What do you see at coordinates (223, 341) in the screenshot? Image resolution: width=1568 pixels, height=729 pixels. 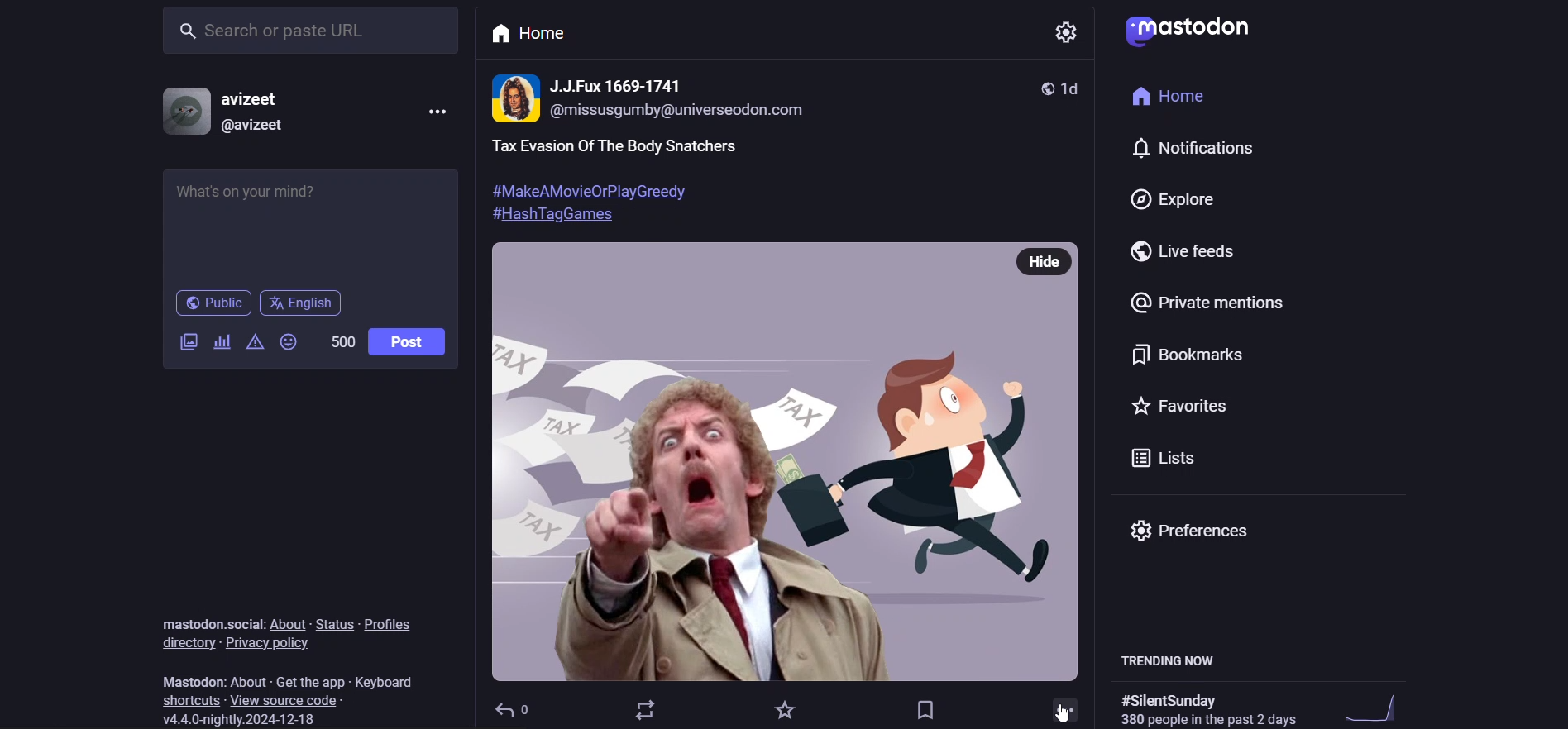 I see `poll` at bounding box center [223, 341].